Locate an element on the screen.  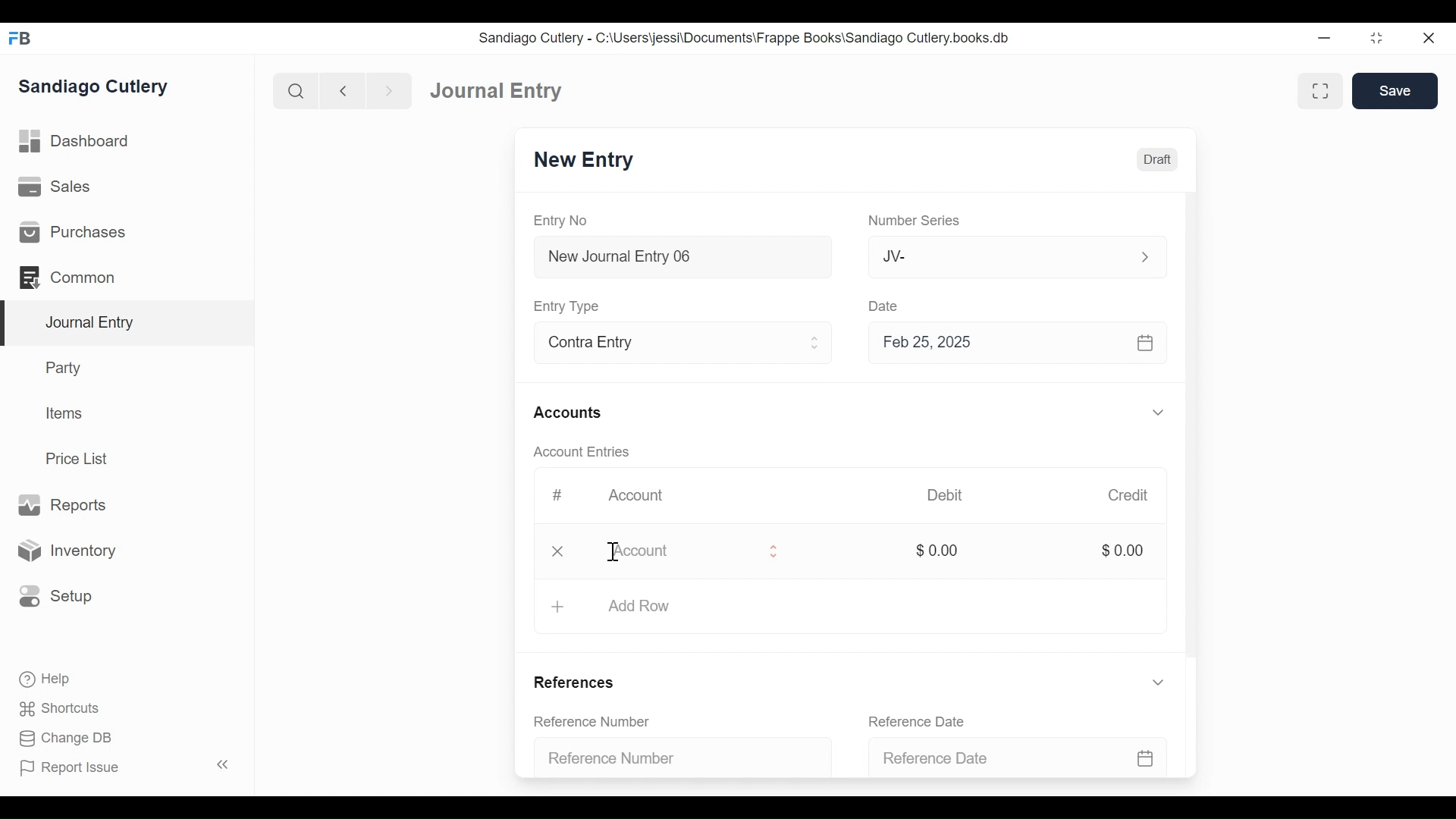
# is located at coordinates (557, 495).